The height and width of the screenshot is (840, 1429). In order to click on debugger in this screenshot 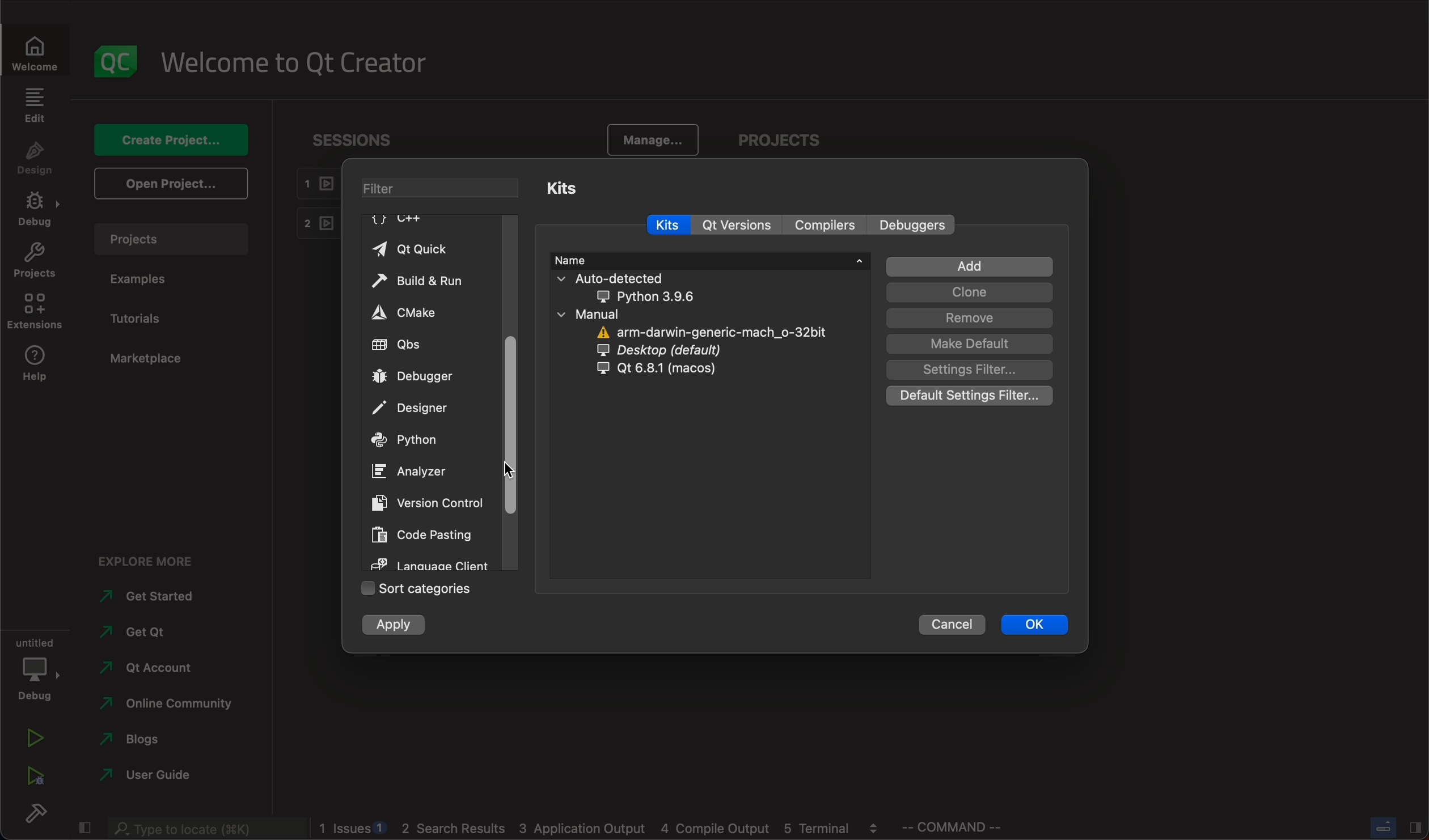, I will do `click(420, 377)`.